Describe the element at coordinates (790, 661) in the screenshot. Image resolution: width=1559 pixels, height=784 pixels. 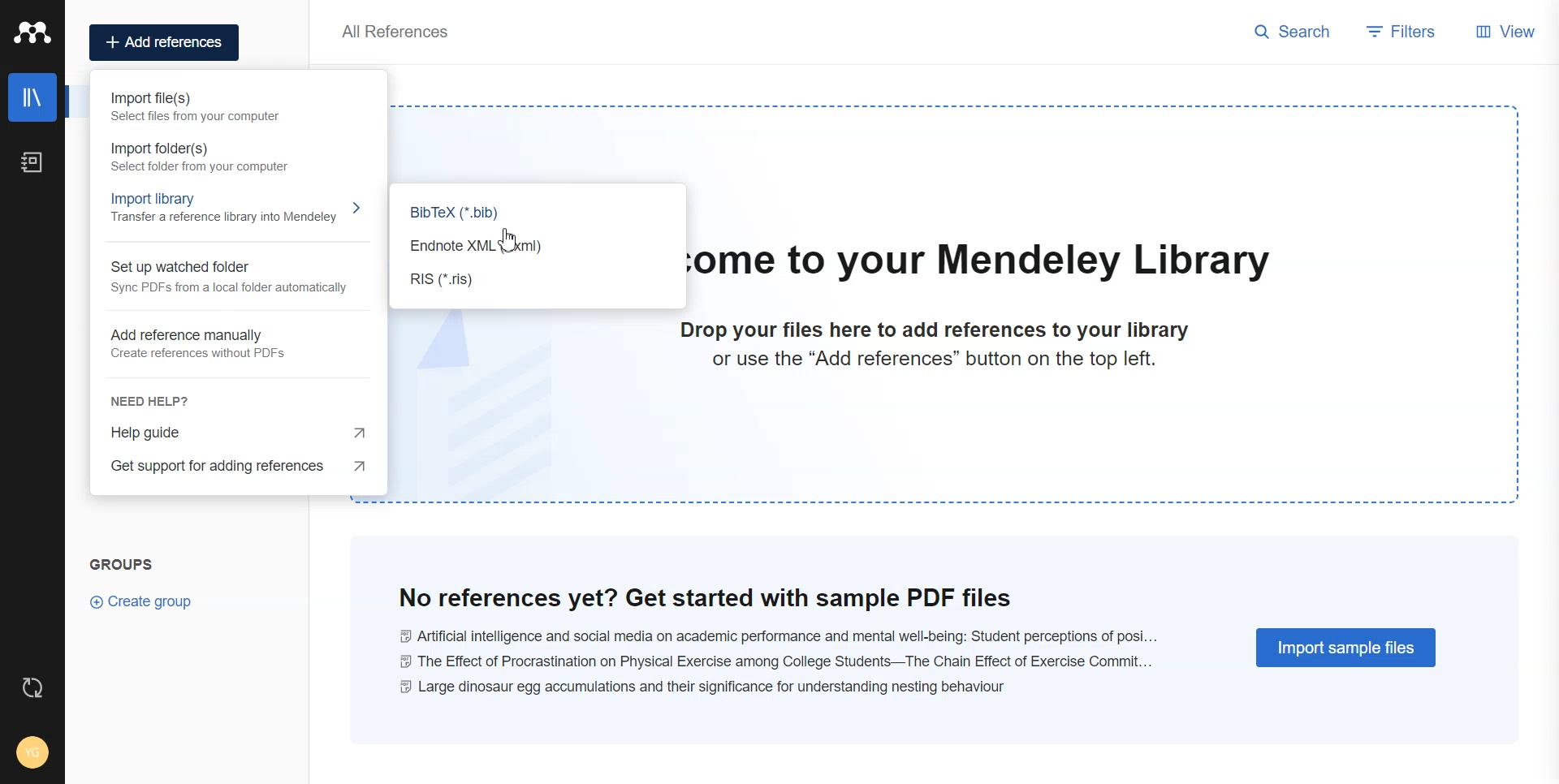
I see `@ Artificial intelligence and social media on academic performance and mental well-being: Student perceptions of posi...
© The Effect of Procrastination on Physical Exercise among College Students—The Chain Effect of Exercise Commit...
© Large dinosaur egg accumulations and their significance for understanding nesting behaviour` at that location.